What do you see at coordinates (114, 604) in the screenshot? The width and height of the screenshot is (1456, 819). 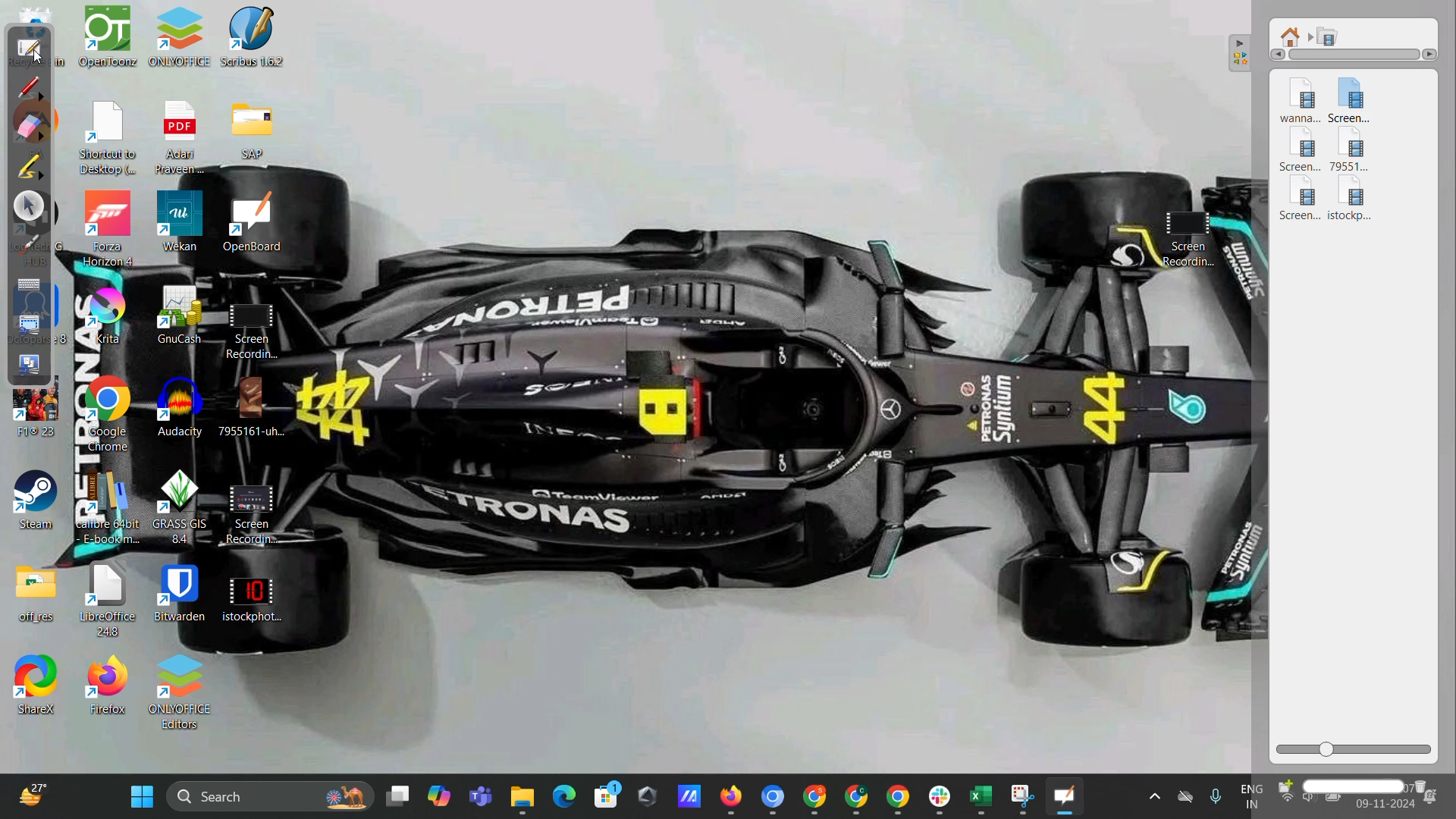 I see `LibreOffice 44.8` at bounding box center [114, 604].